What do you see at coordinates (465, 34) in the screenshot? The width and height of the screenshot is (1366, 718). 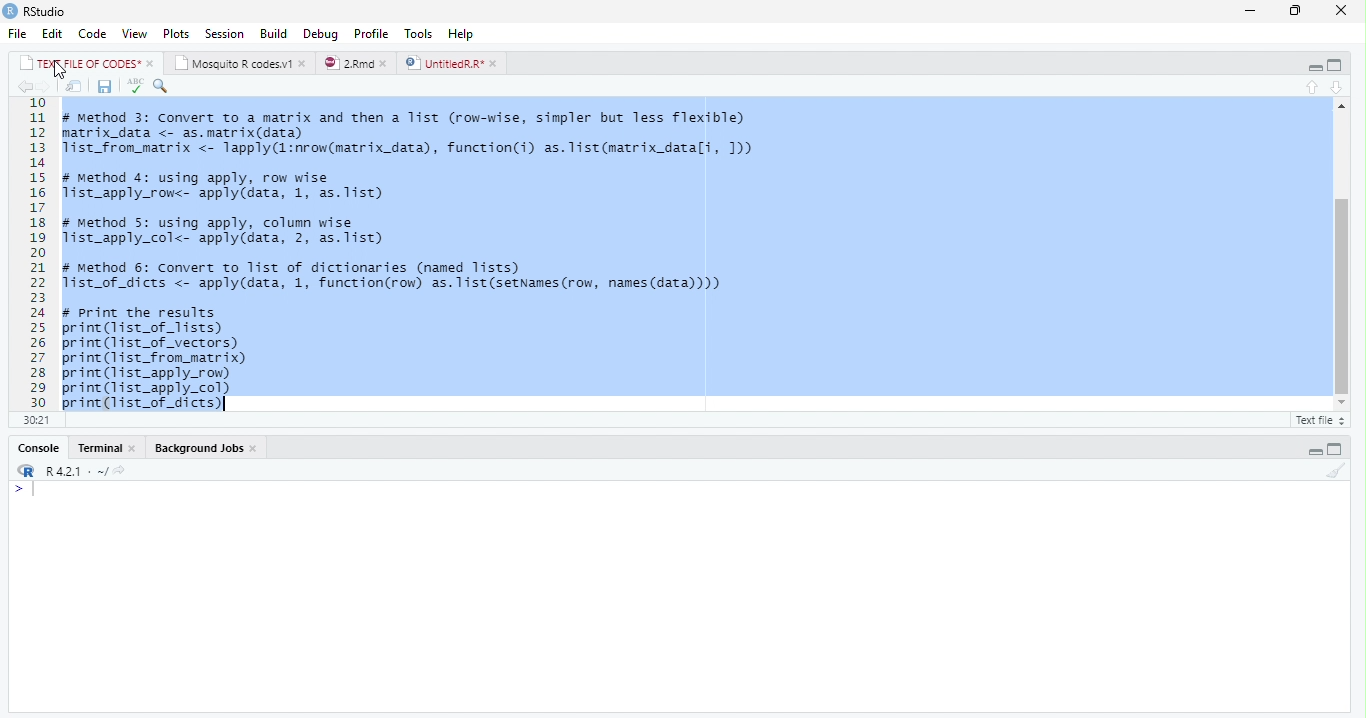 I see `Help` at bounding box center [465, 34].